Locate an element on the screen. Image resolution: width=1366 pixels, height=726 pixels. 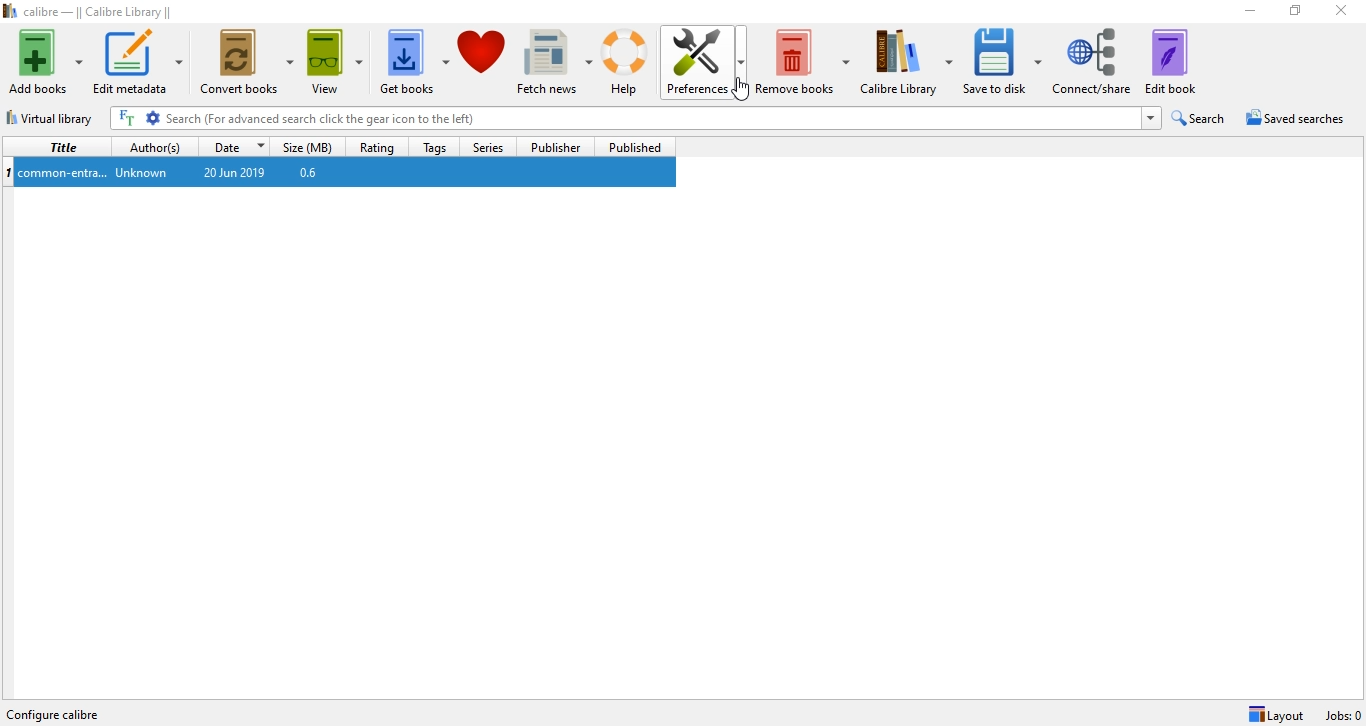
full text search is located at coordinates (129, 118).